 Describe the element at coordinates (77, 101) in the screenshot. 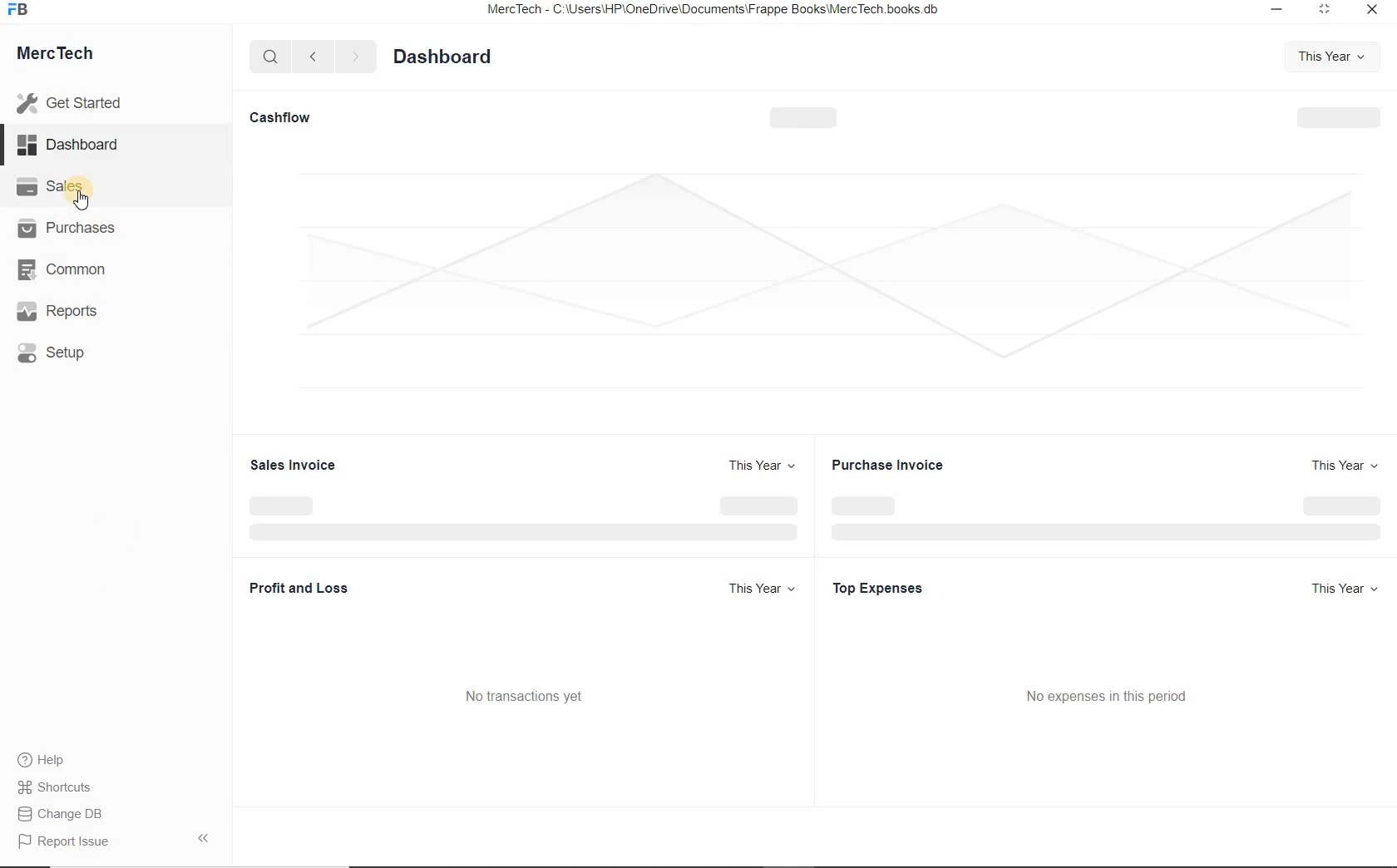

I see `Get Started` at that location.